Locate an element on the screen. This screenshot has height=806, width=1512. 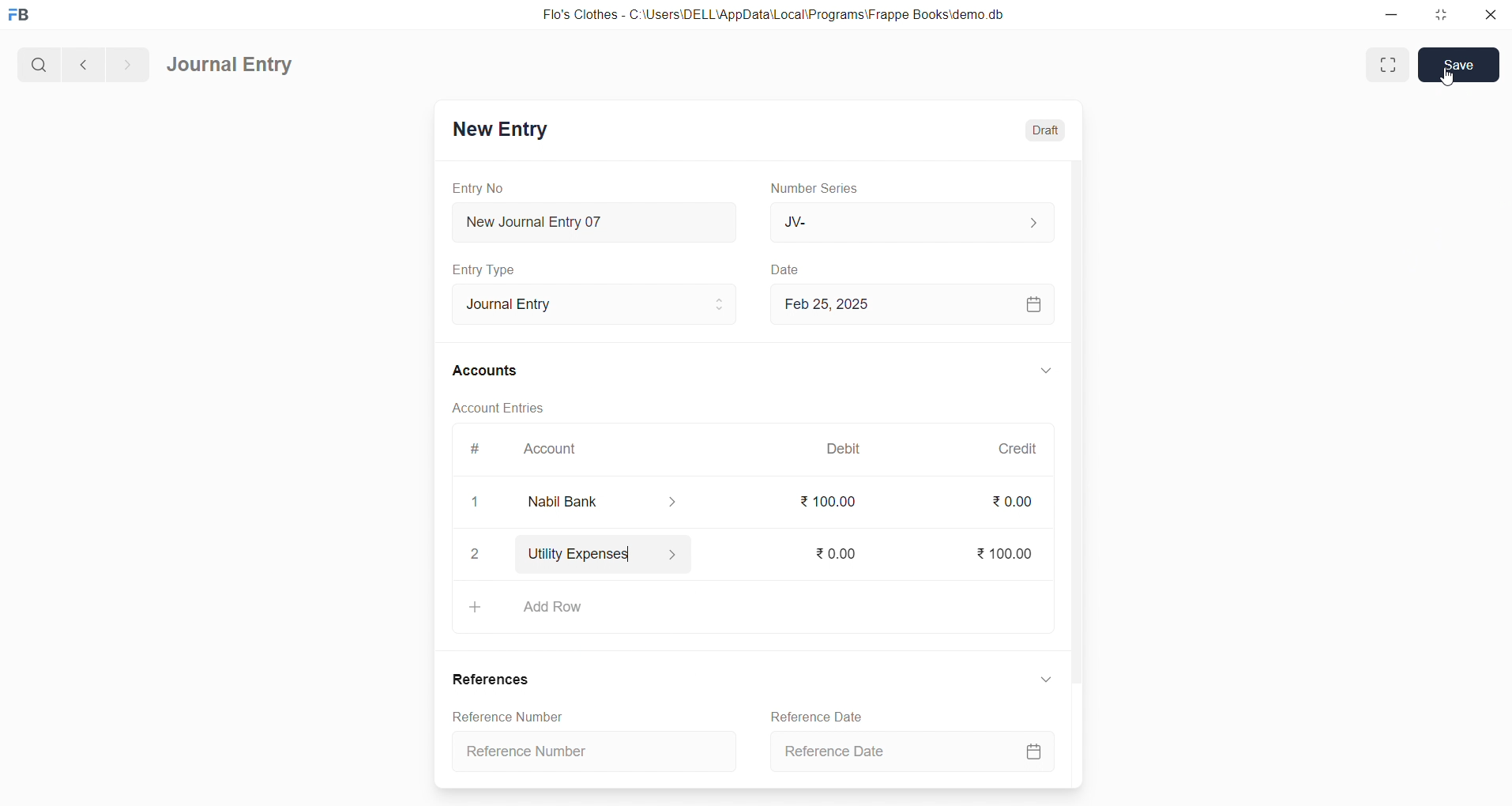
Utility Expenses is located at coordinates (621, 551).